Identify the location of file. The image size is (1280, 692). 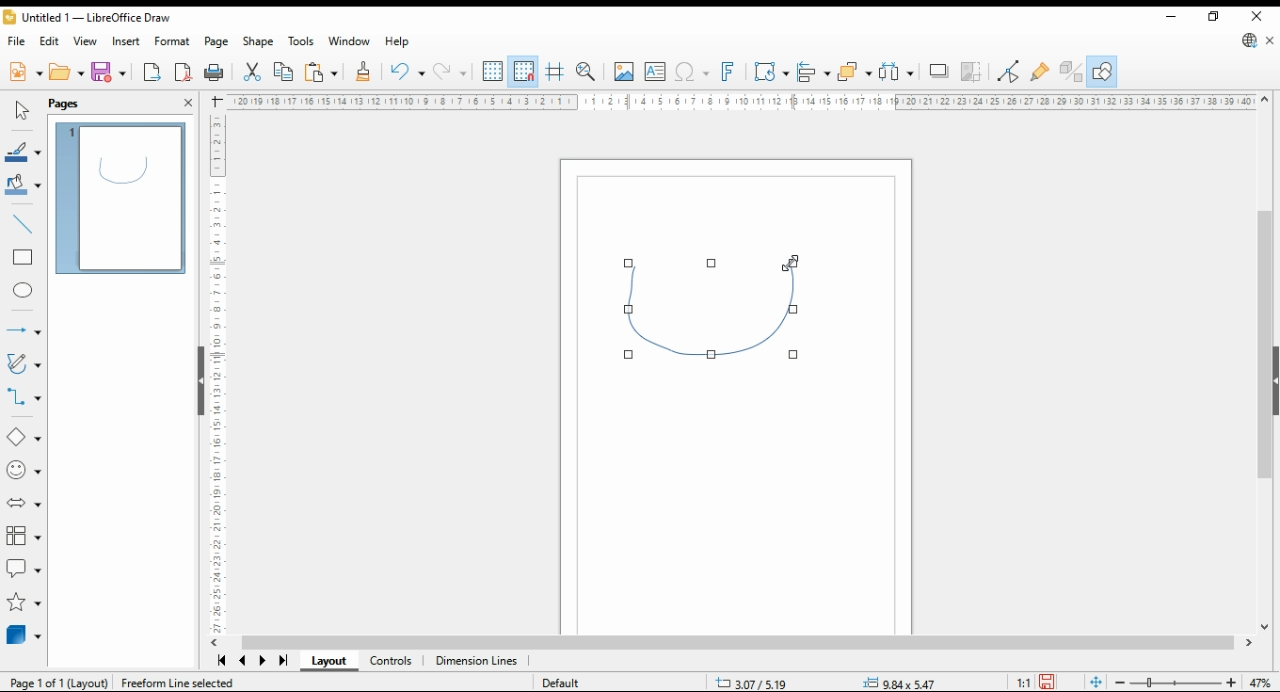
(18, 41).